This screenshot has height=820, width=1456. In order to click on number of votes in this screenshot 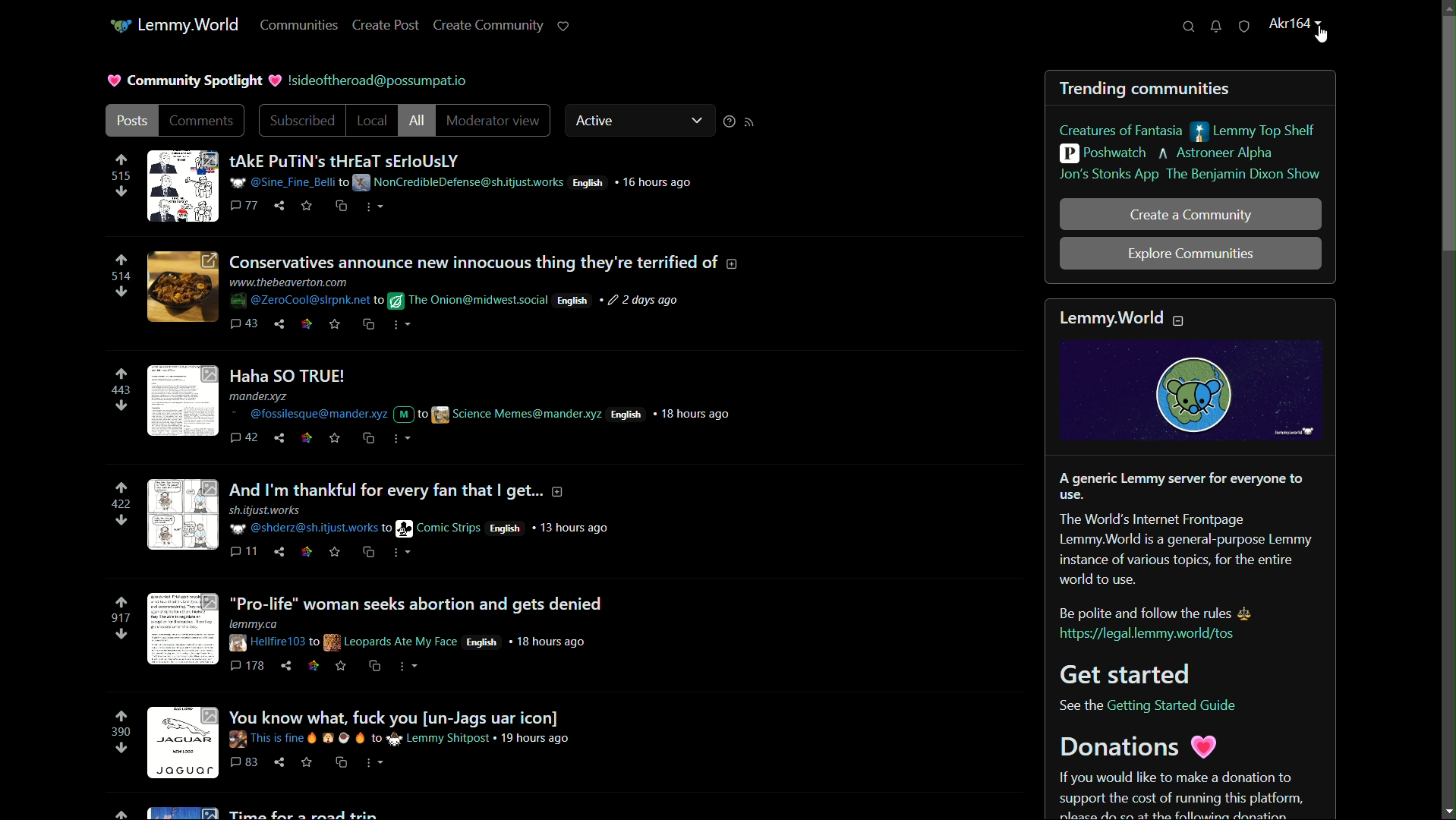, I will do `click(118, 177)`.